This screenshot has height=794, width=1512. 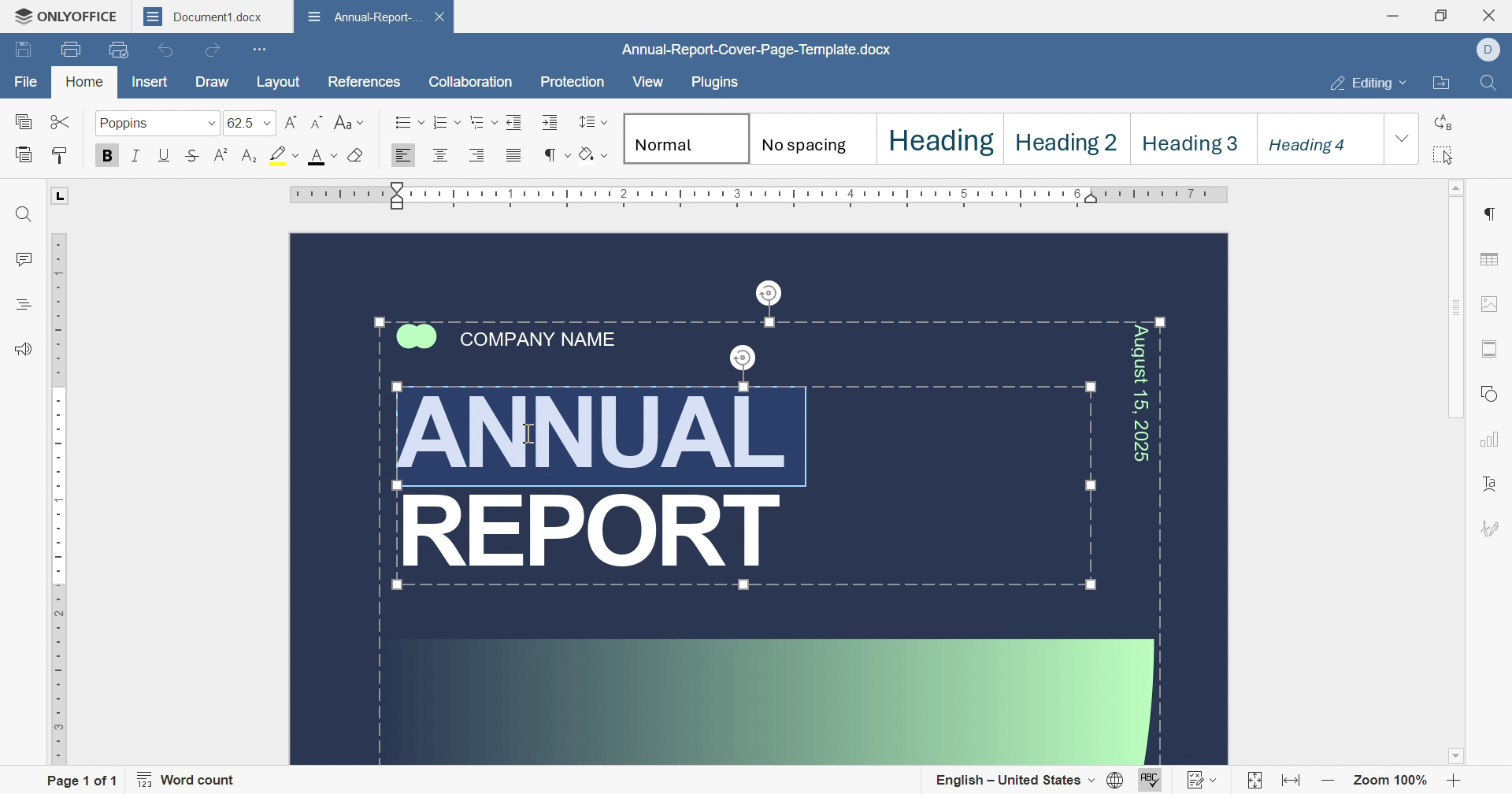 What do you see at coordinates (1454, 315) in the screenshot?
I see `scroll bar` at bounding box center [1454, 315].